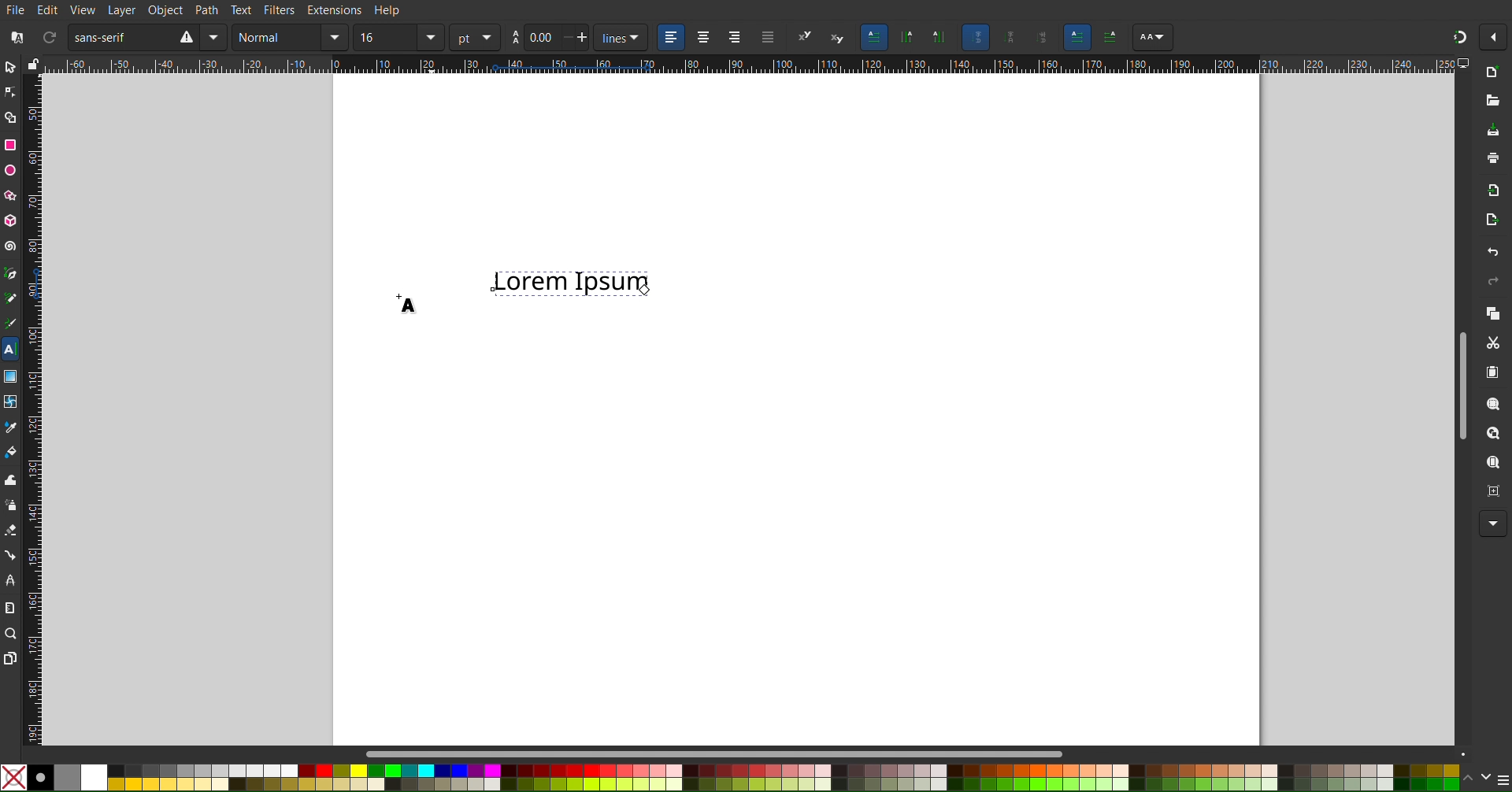 The width and height of the screenshot is (1512, 792). What do you see at coordinates (975, 37) in the screenshot?
I see `Scaling Objects settings` at bounding box center [975, 37].